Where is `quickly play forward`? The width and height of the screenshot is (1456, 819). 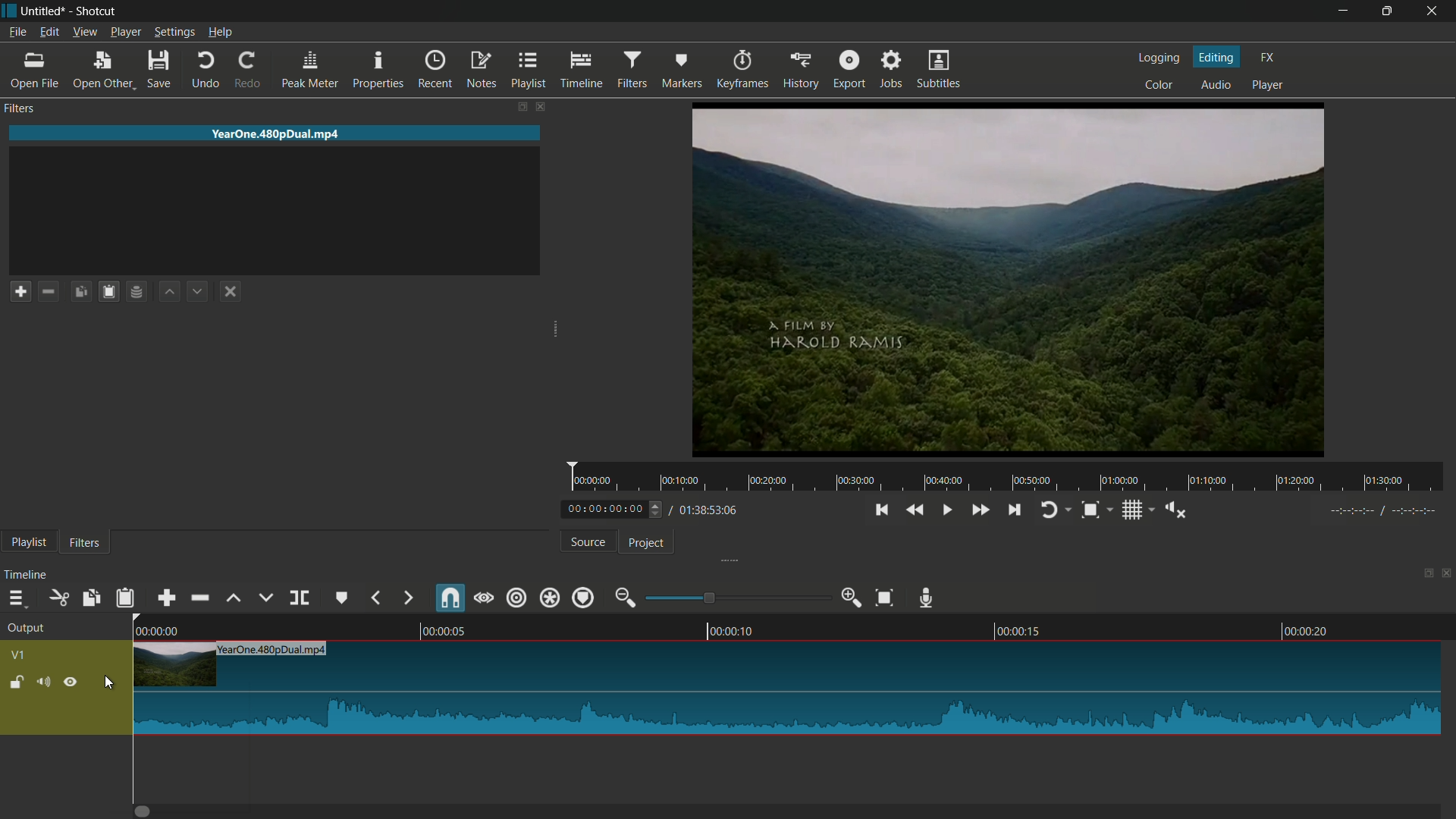 quickly play forward is located at coordinates (977, 509).